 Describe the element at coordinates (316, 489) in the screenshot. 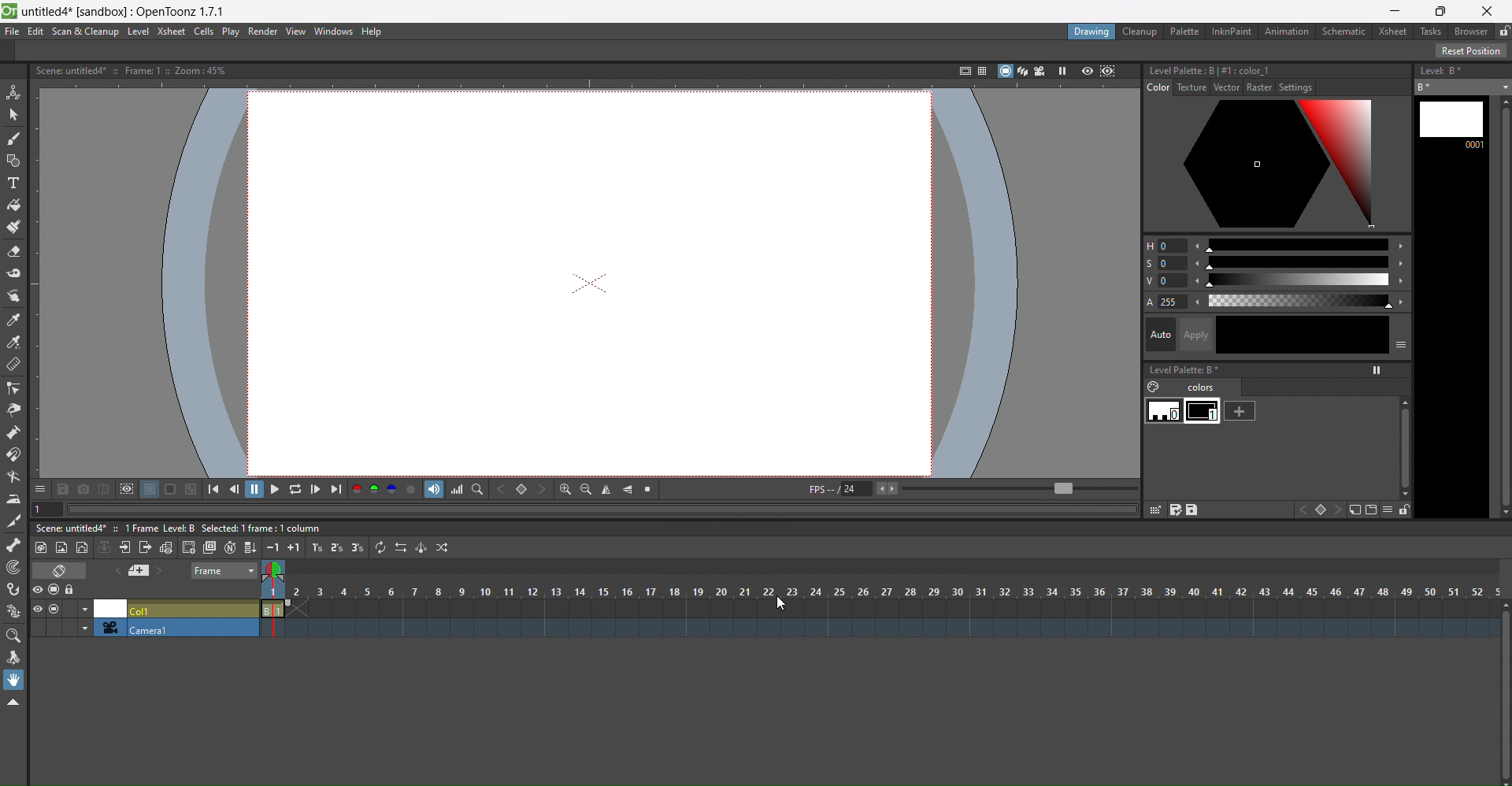

I see `next frame` at that location.